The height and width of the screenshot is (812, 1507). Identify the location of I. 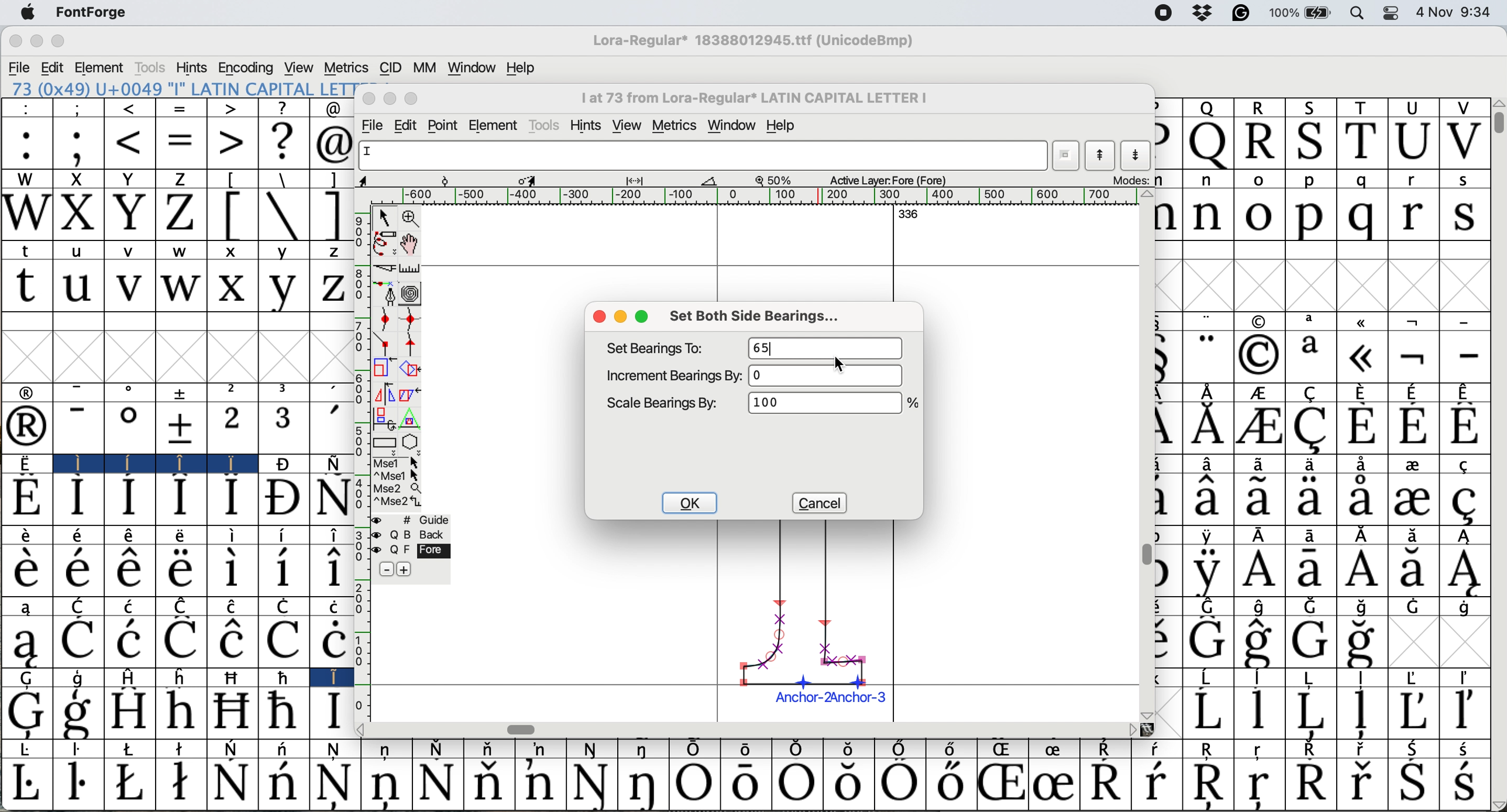
(331, 677).